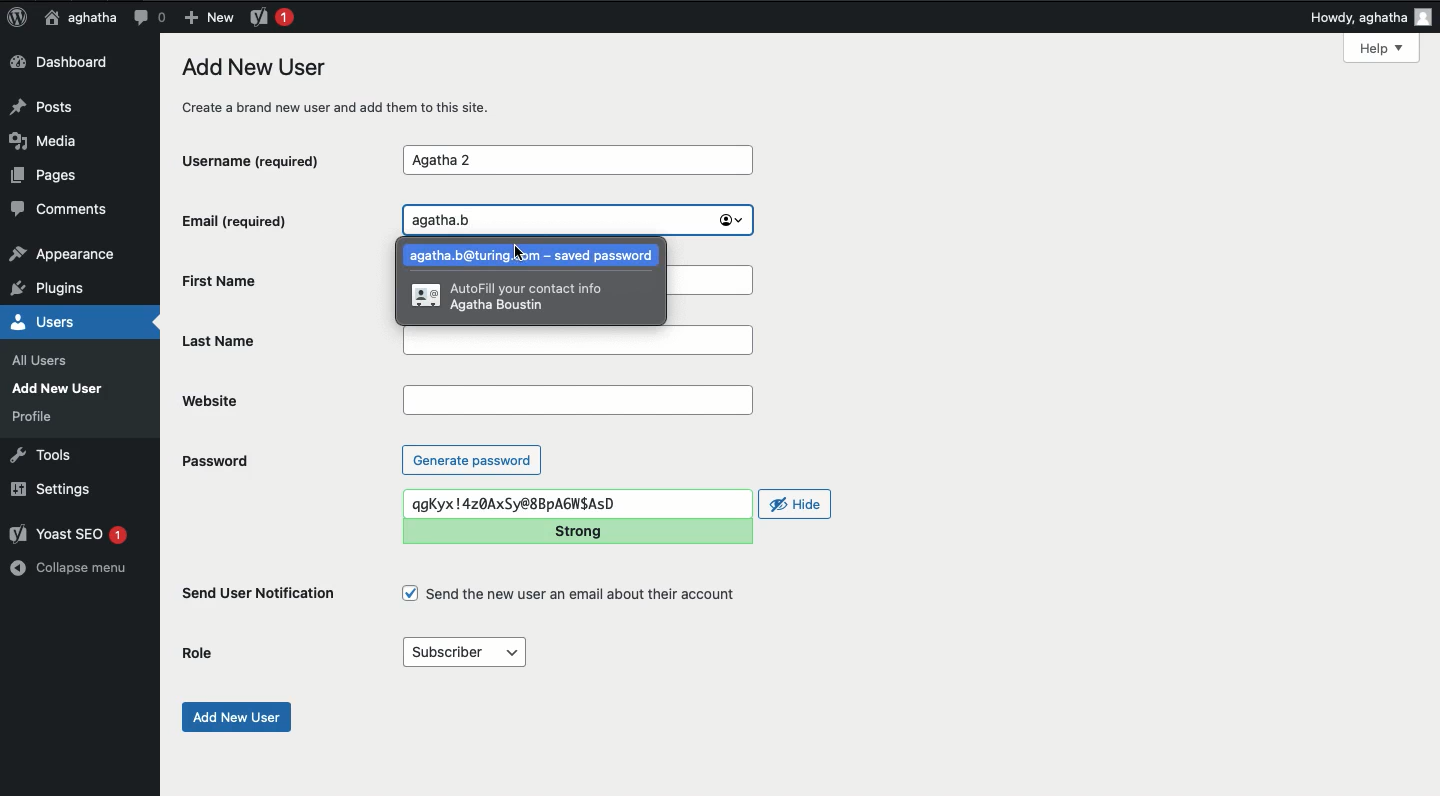 The width and height of the screenshot is (1440, 796). Describe the element at coordinates (289, 400) in the screenshot. I see `Website` at that location.